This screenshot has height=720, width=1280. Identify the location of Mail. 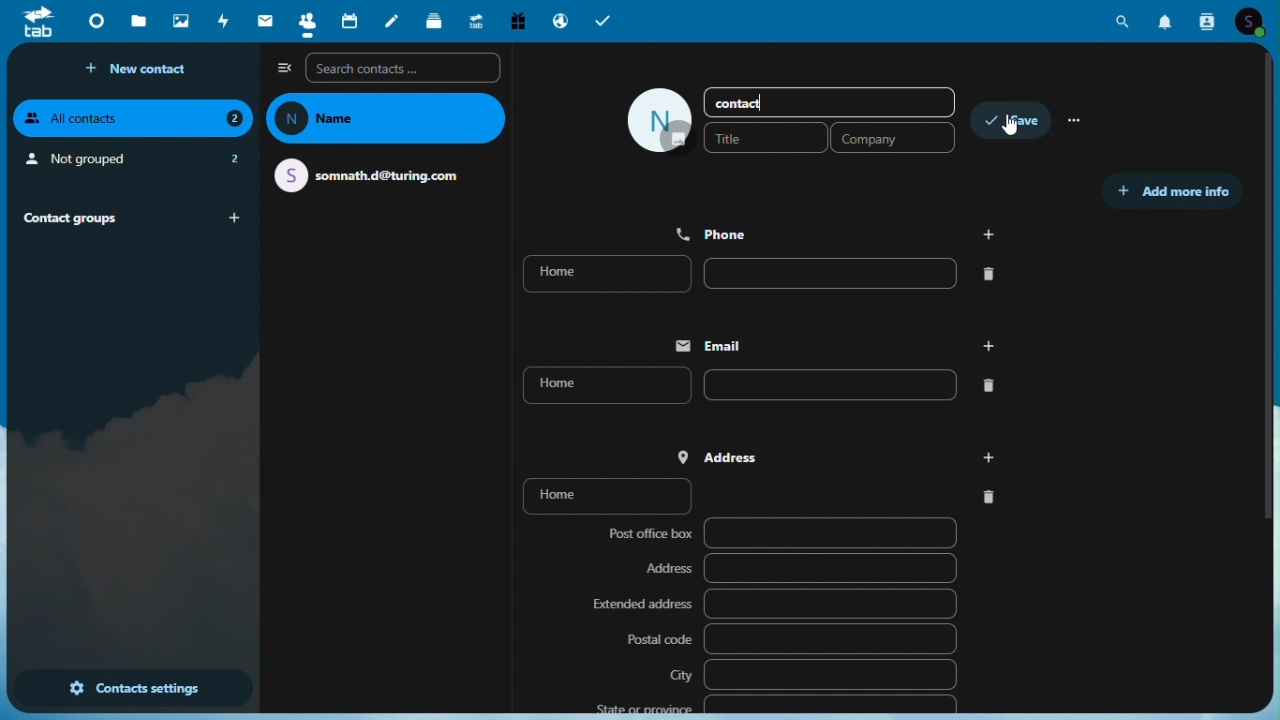
(261, 22).